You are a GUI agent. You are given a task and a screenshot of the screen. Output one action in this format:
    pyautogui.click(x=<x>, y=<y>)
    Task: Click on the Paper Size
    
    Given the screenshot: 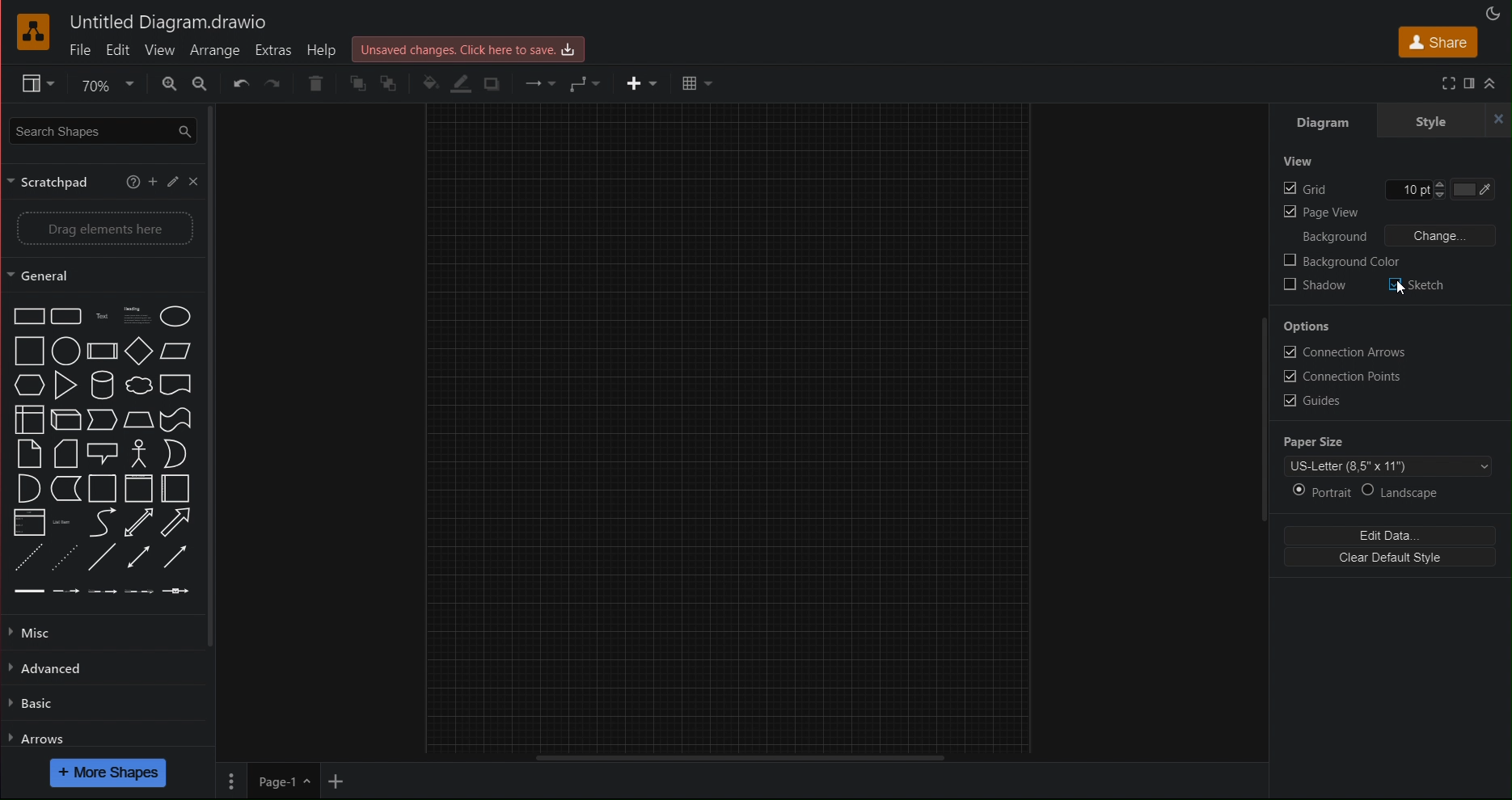 What is the action you would take?
    pyautogui.click(x=1324, y=440)
    